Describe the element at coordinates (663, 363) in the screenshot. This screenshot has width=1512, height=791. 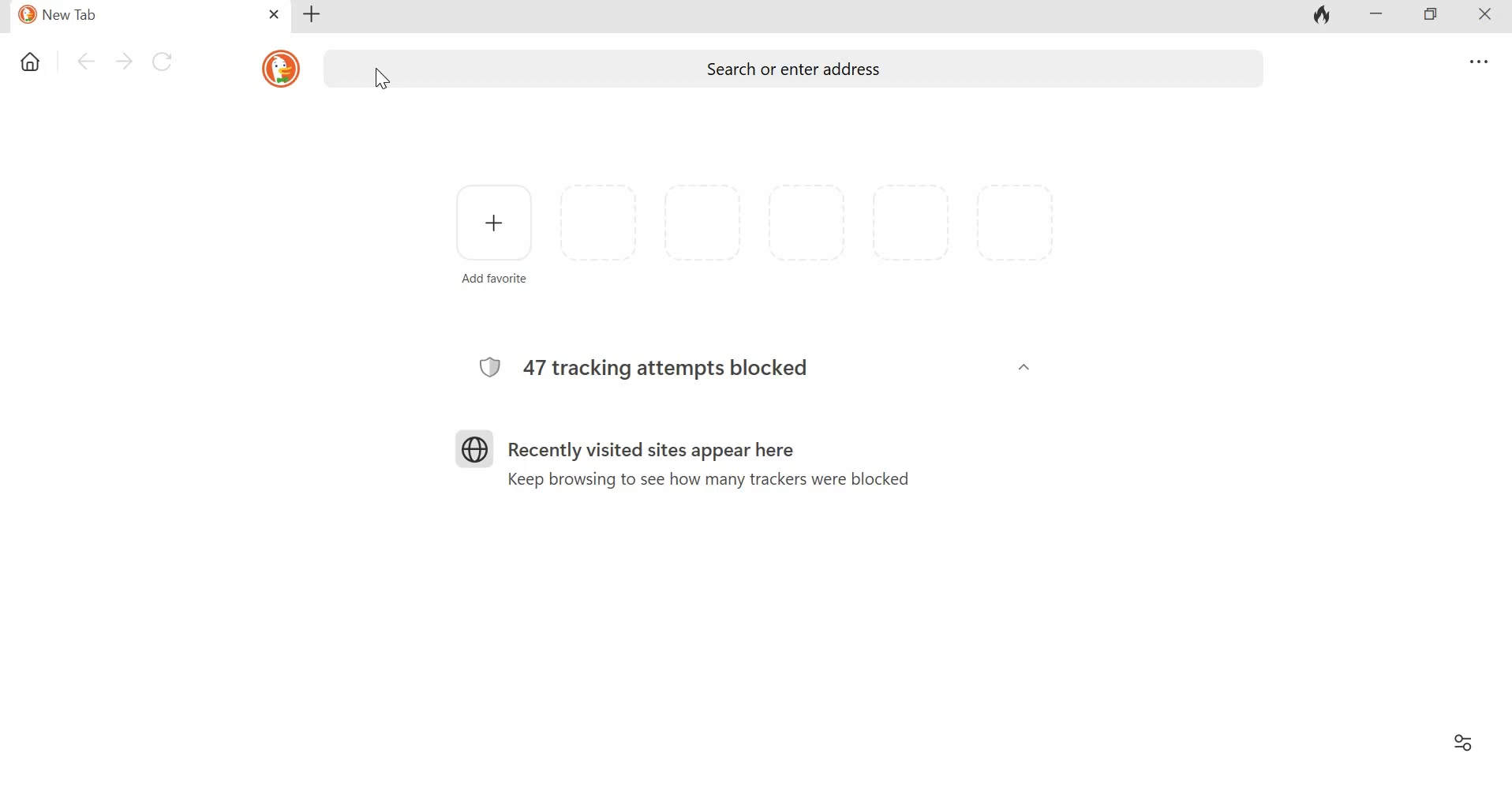
I see `47 tracking attempts blocked` at that location.